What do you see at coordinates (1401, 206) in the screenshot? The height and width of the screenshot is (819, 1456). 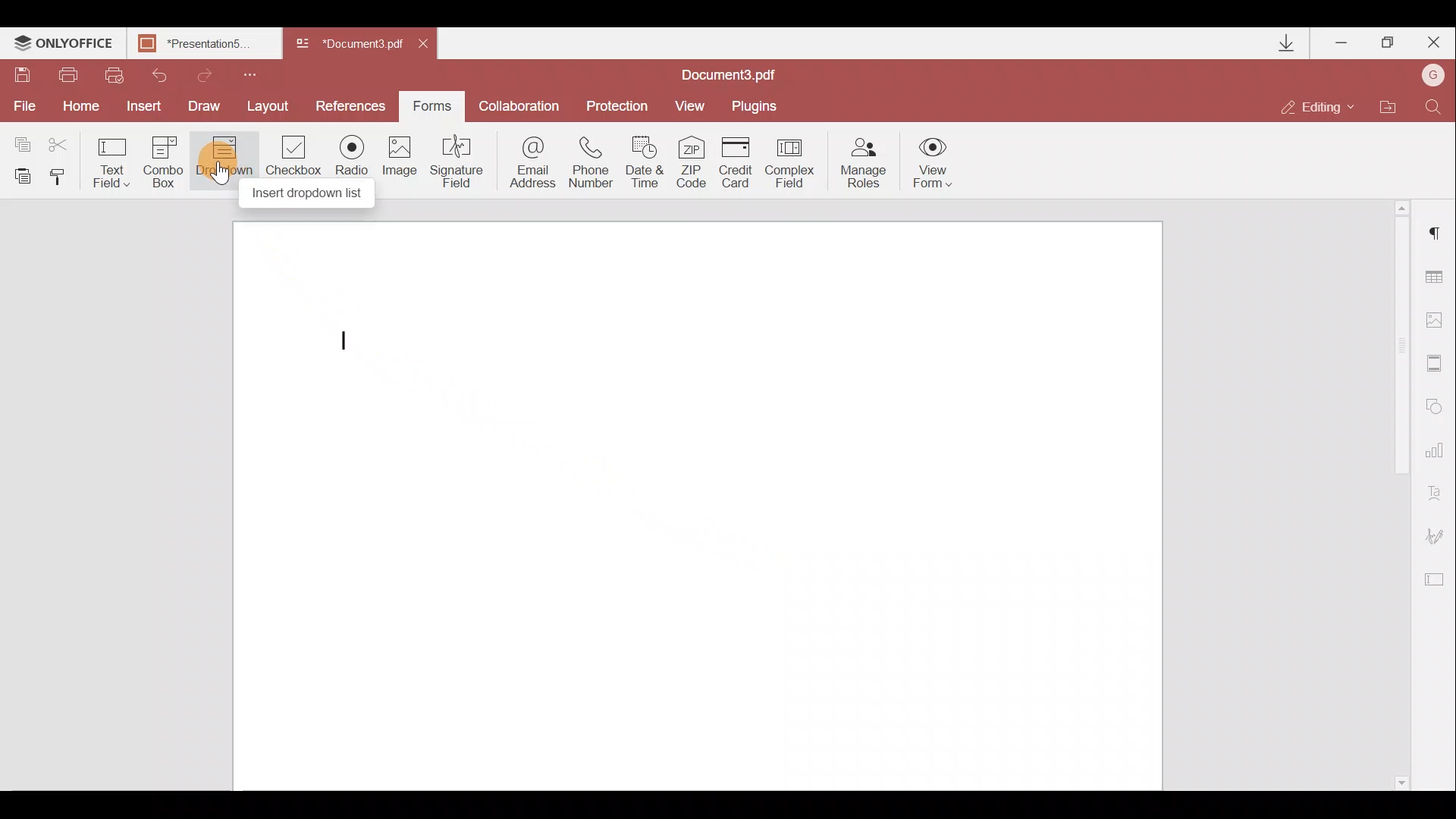 I see `Scroll up` at bounding box center [1401, 206].